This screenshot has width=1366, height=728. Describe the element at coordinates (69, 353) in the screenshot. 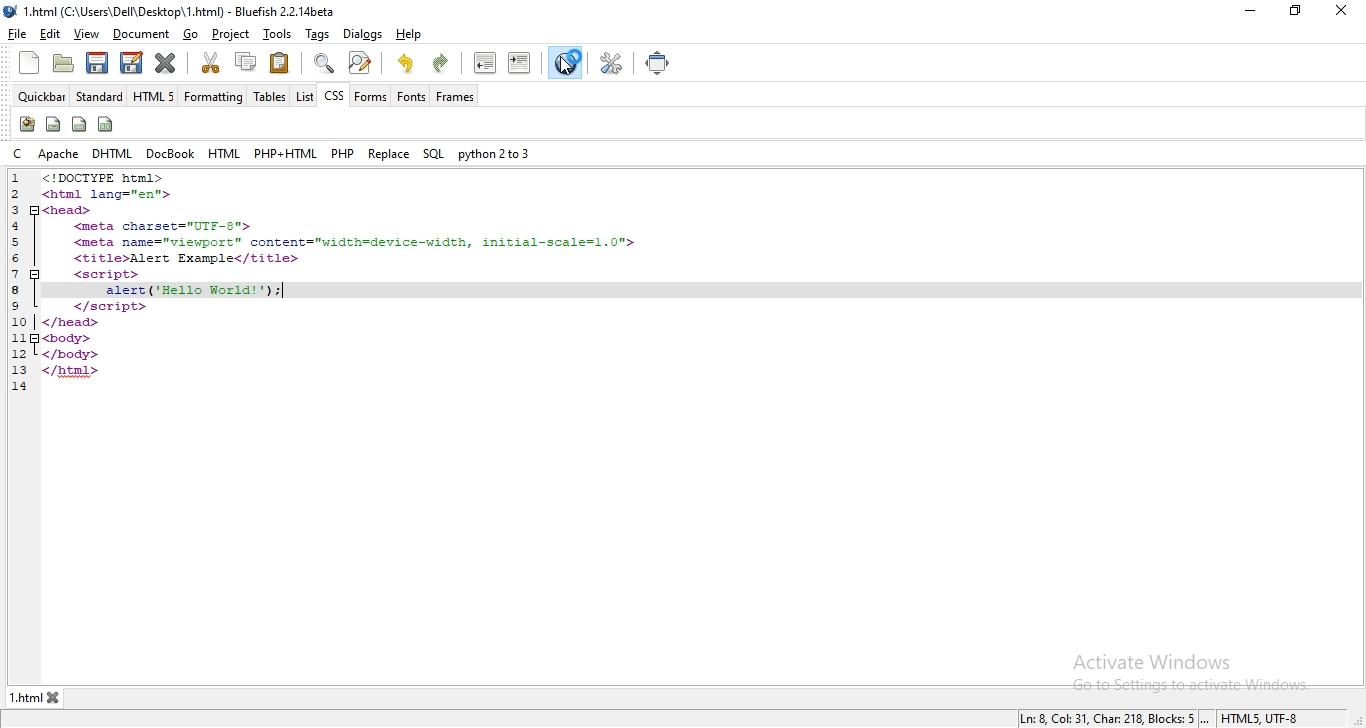

I see `</body>` at that location.